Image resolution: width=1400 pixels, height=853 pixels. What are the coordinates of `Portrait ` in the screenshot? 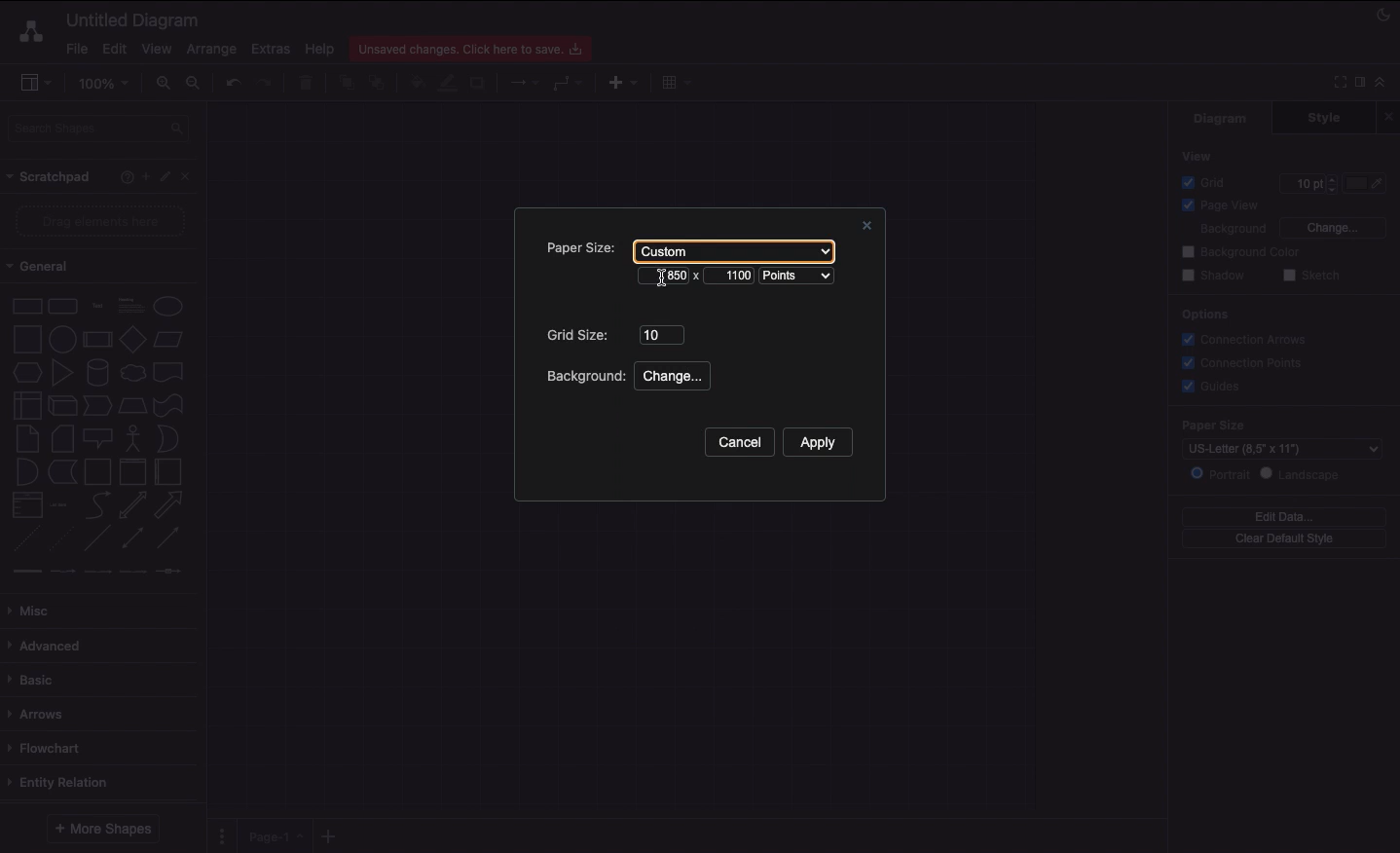 It's located at (1220, 473).